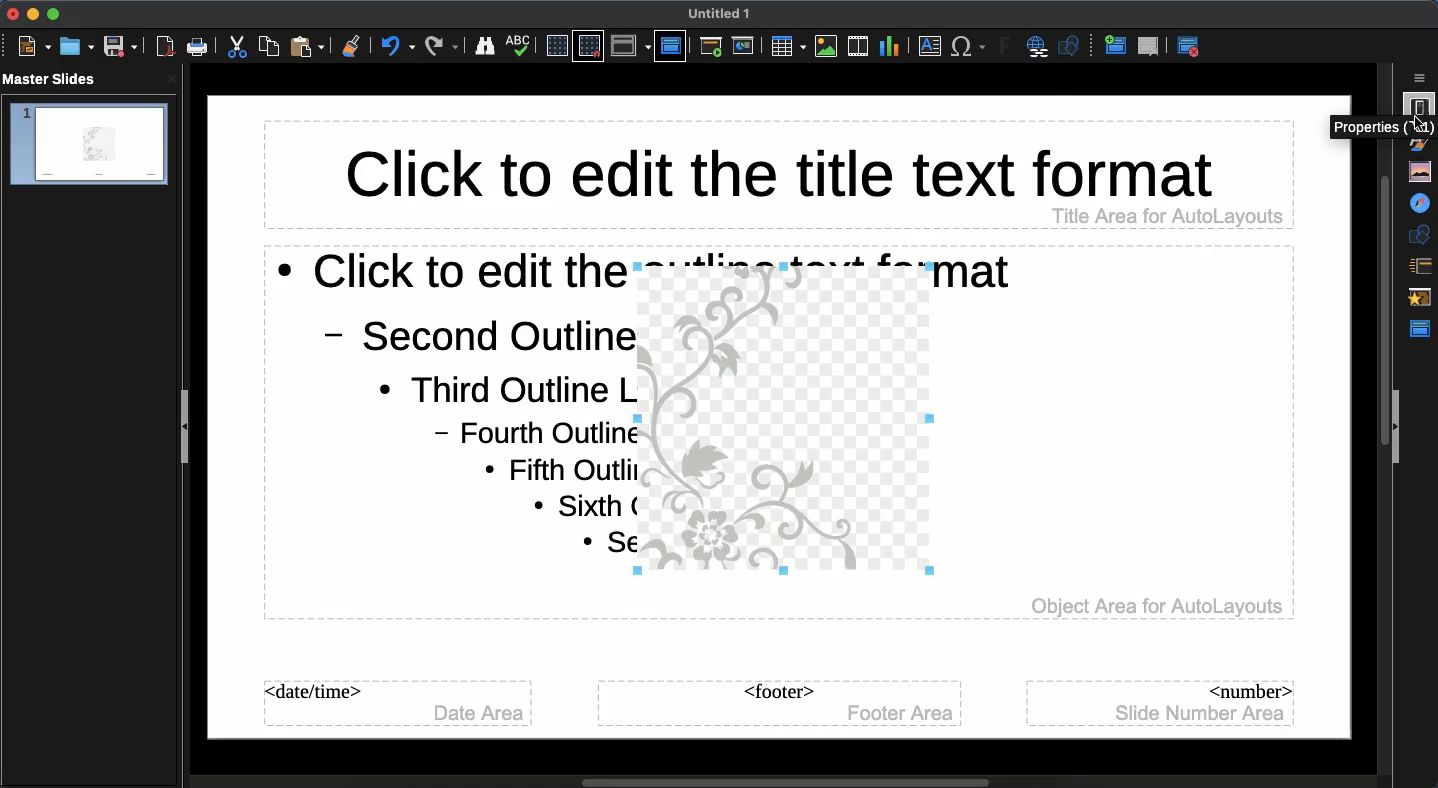  What do you see at coordinates (394, 704) in the screenshot?
I see `Master slide date time` at bounding box center [394, 704].